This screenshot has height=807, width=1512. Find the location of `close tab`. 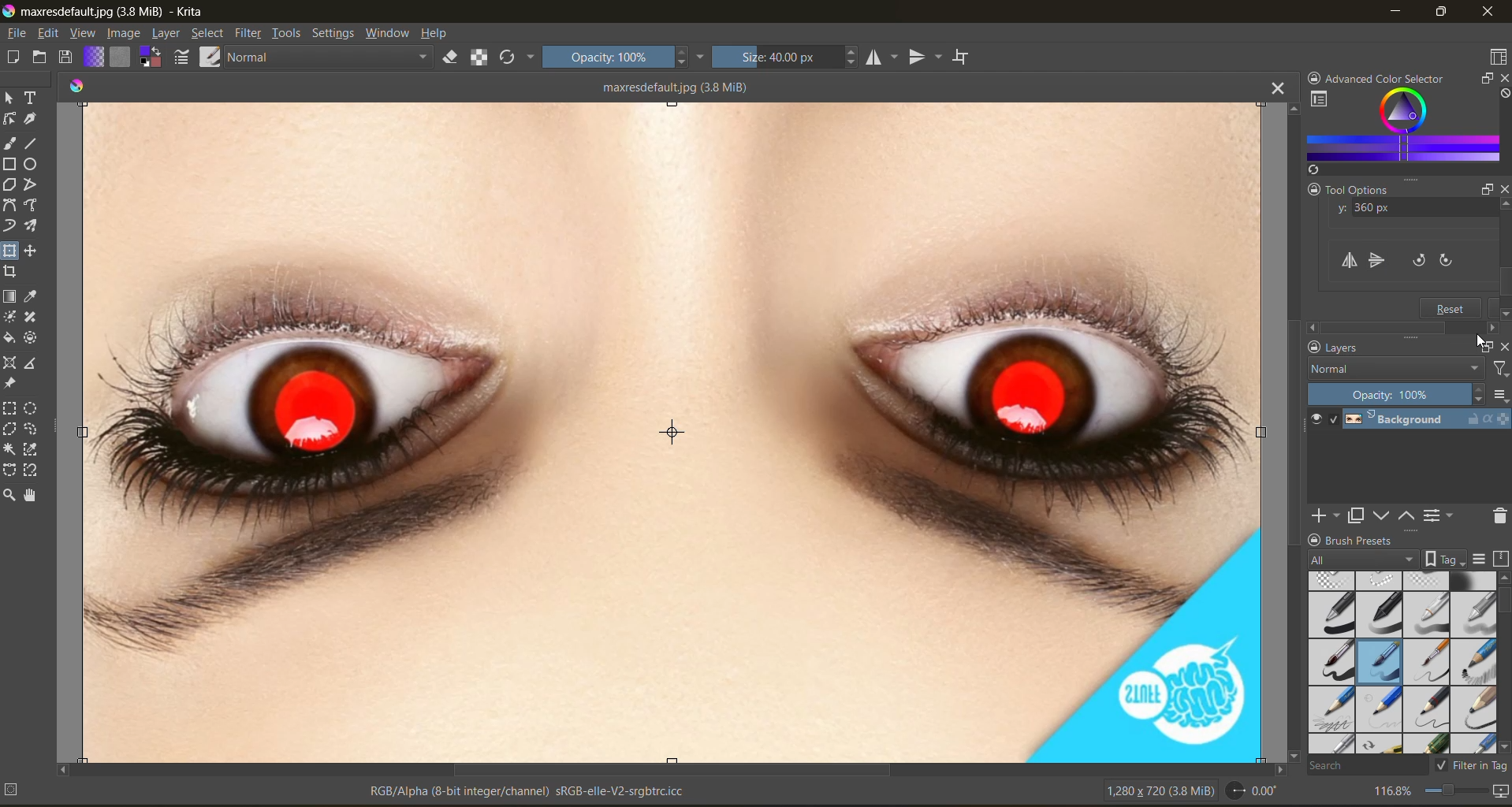

close tab is located at coordinates (1268, 92).